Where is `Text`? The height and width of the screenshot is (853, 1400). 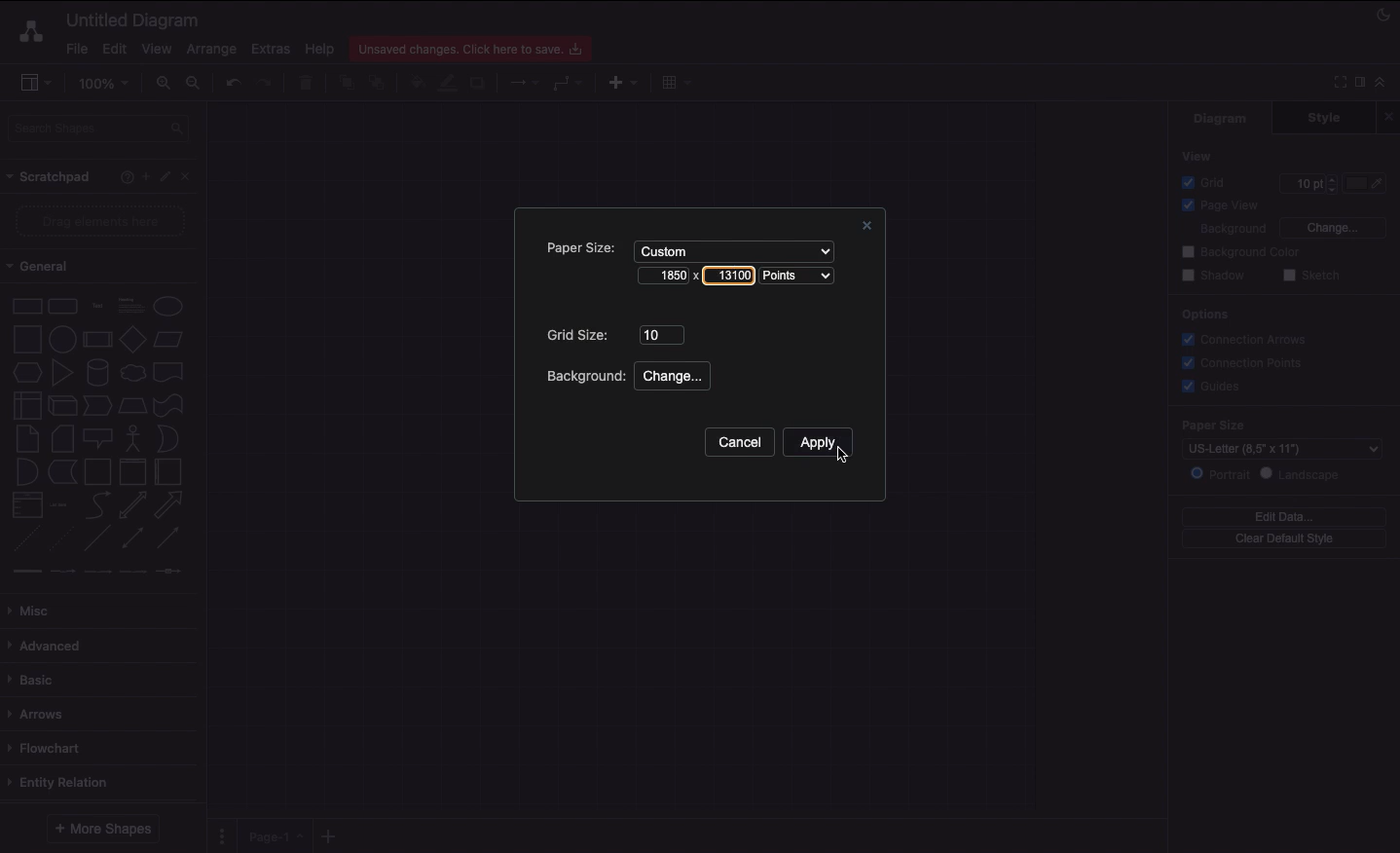
Text is located at coordinates (97, 307).